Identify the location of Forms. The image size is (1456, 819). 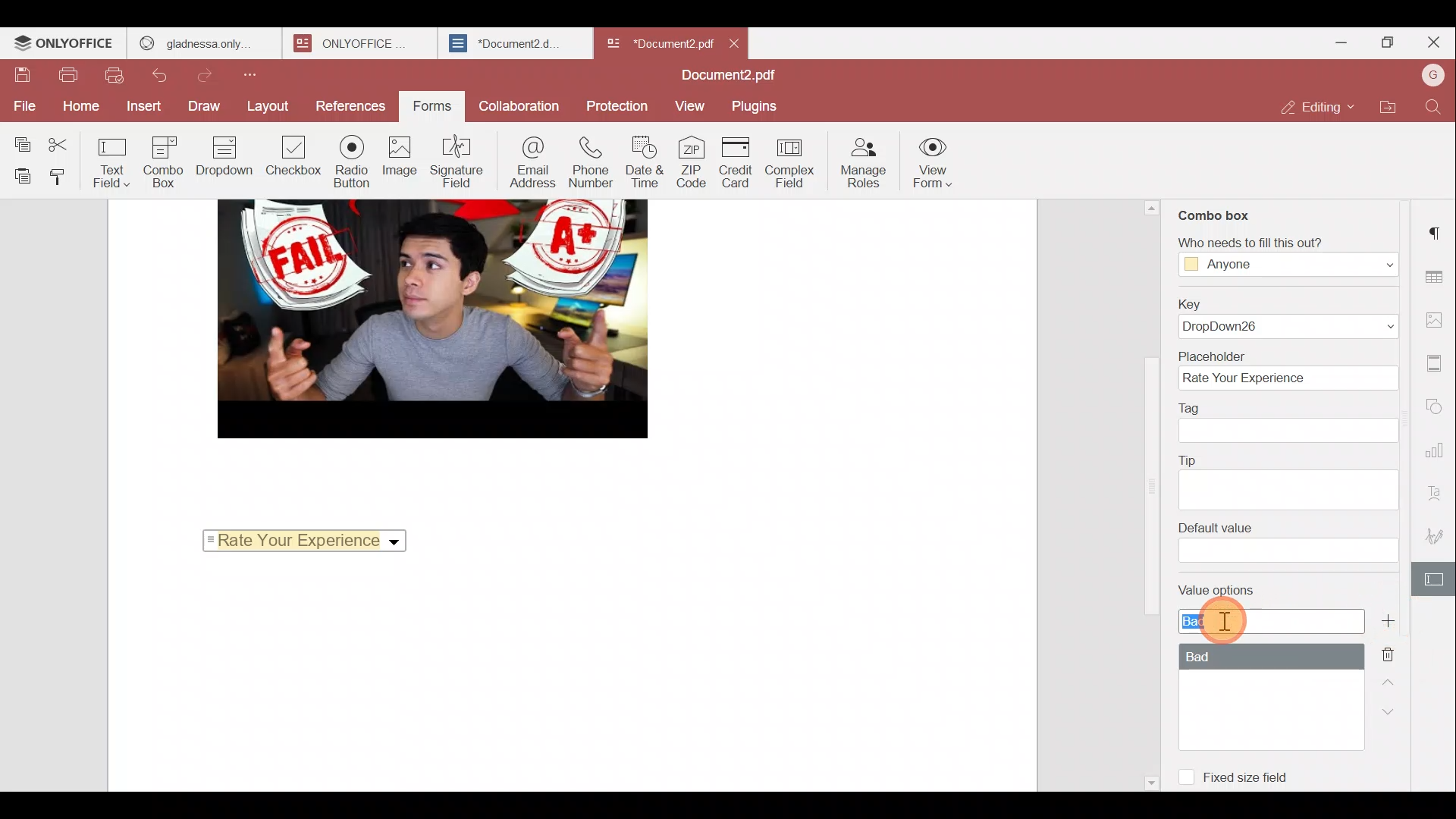
(427, 107).